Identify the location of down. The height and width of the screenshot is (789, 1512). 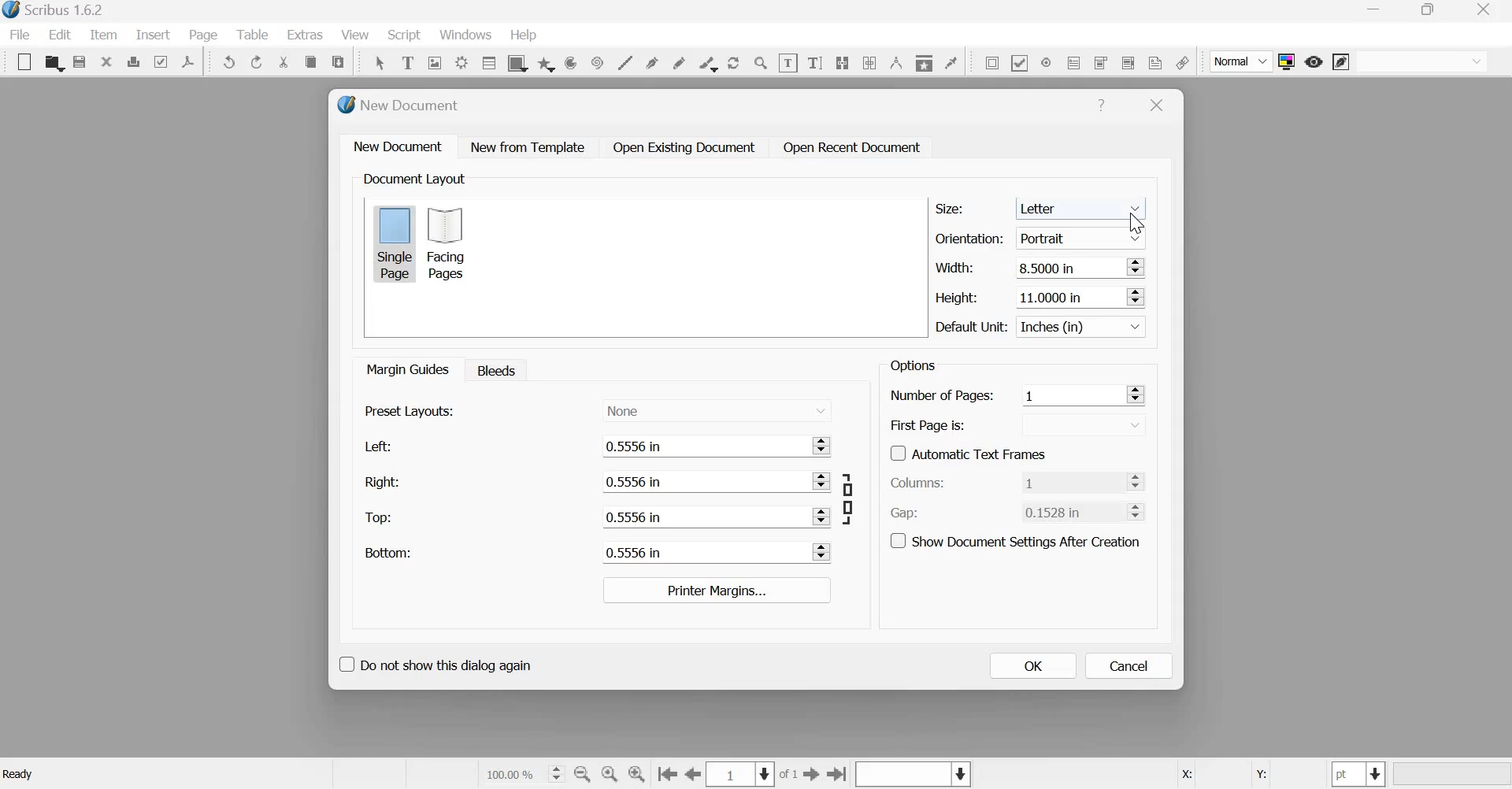
(1088, 424).